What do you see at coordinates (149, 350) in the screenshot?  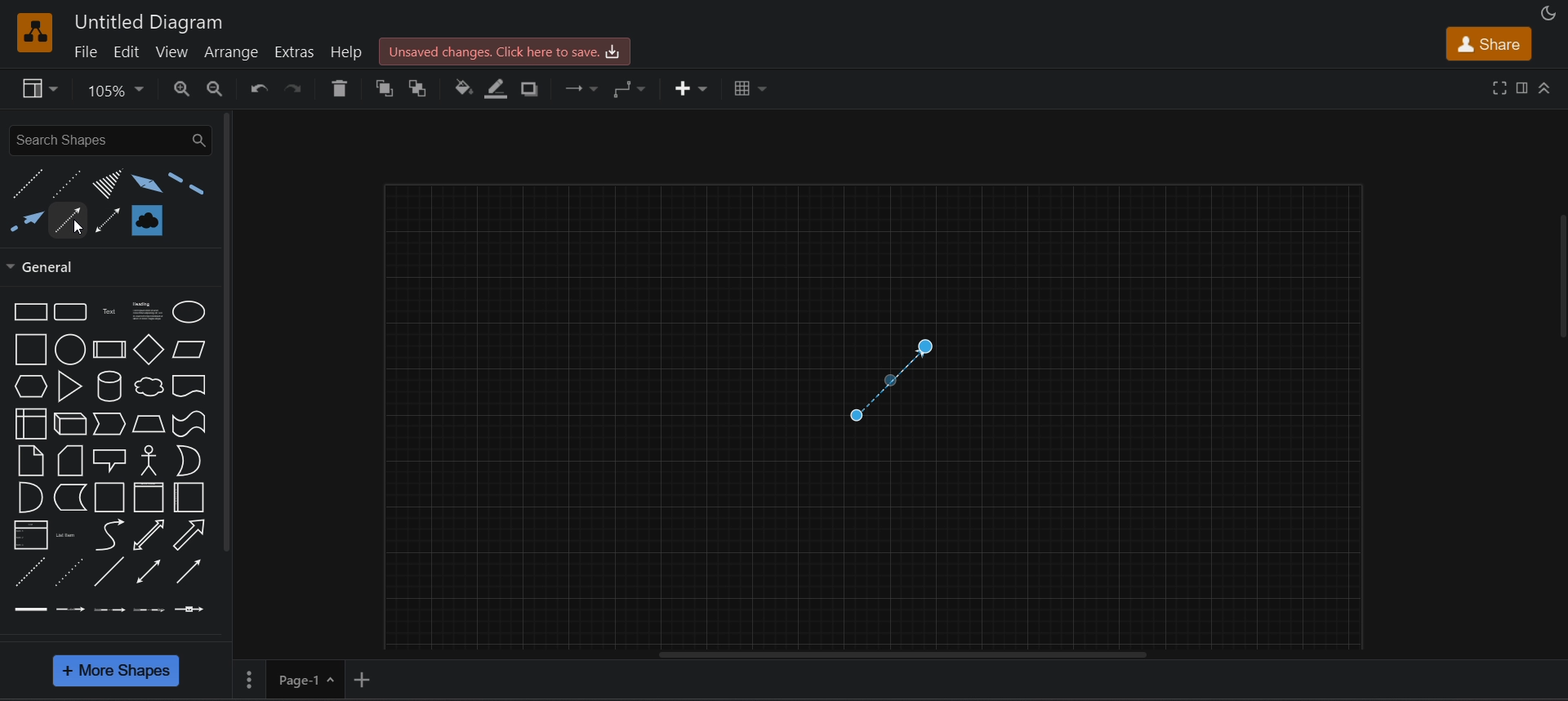 I see `diamond` at bounding box center [149, 350].